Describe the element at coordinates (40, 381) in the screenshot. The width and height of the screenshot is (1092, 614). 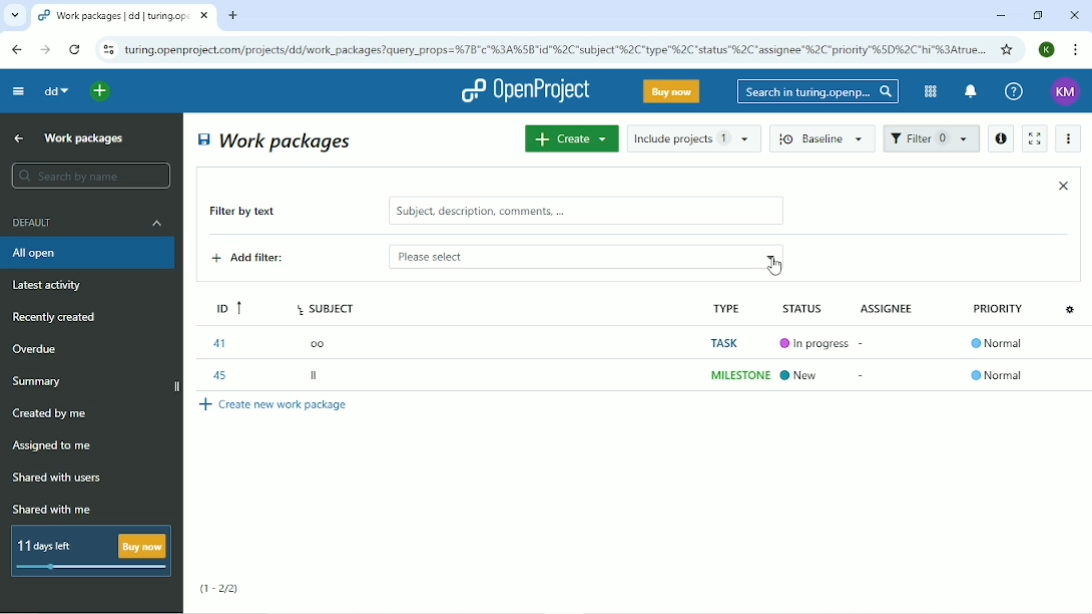
I see `Summary` at that location.